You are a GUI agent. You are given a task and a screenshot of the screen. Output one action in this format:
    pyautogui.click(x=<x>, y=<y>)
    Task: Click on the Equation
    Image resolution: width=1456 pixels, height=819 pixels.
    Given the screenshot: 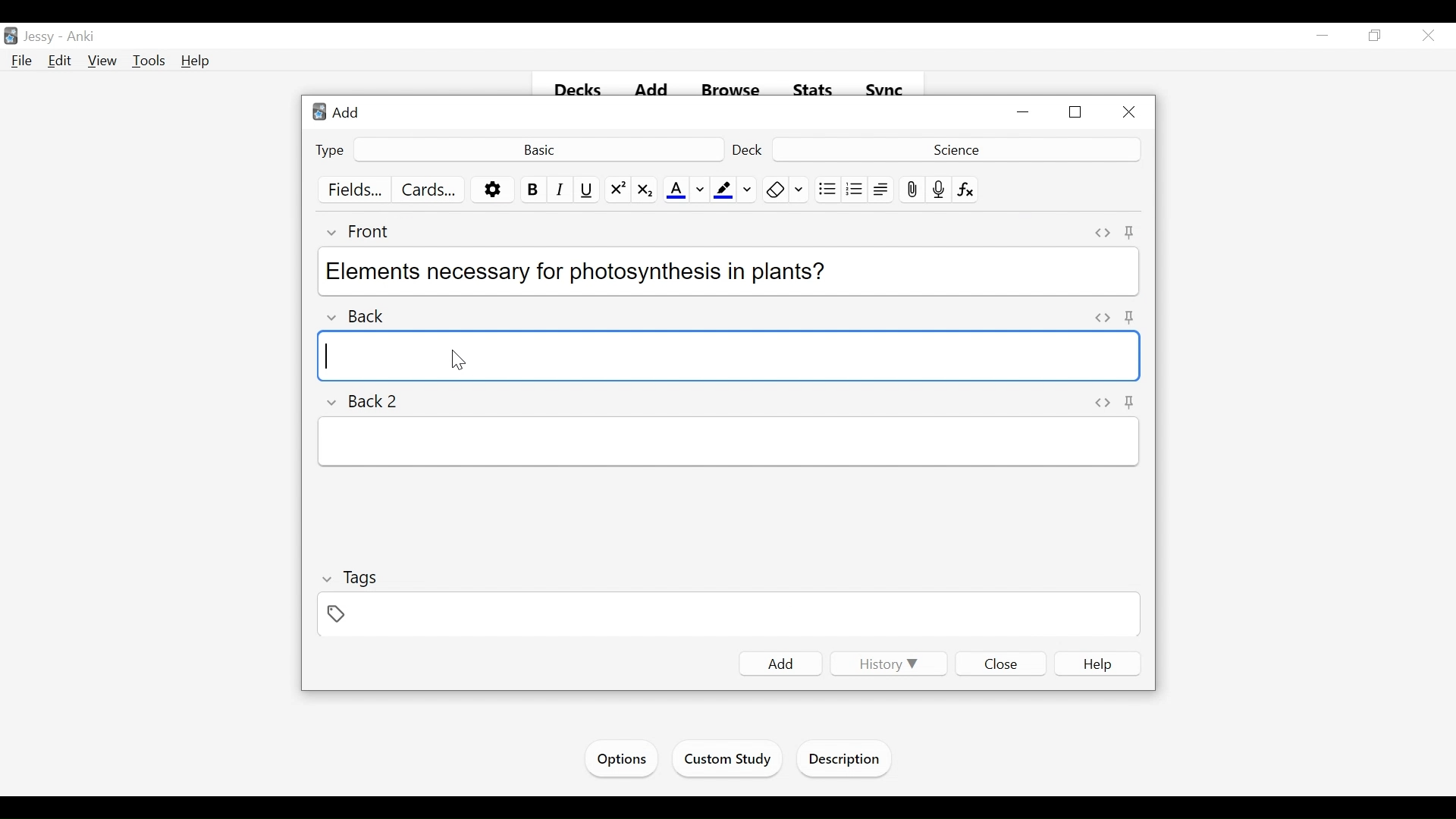 What is the action you would take?
    pyautogui.click(x=966, y=190)
    